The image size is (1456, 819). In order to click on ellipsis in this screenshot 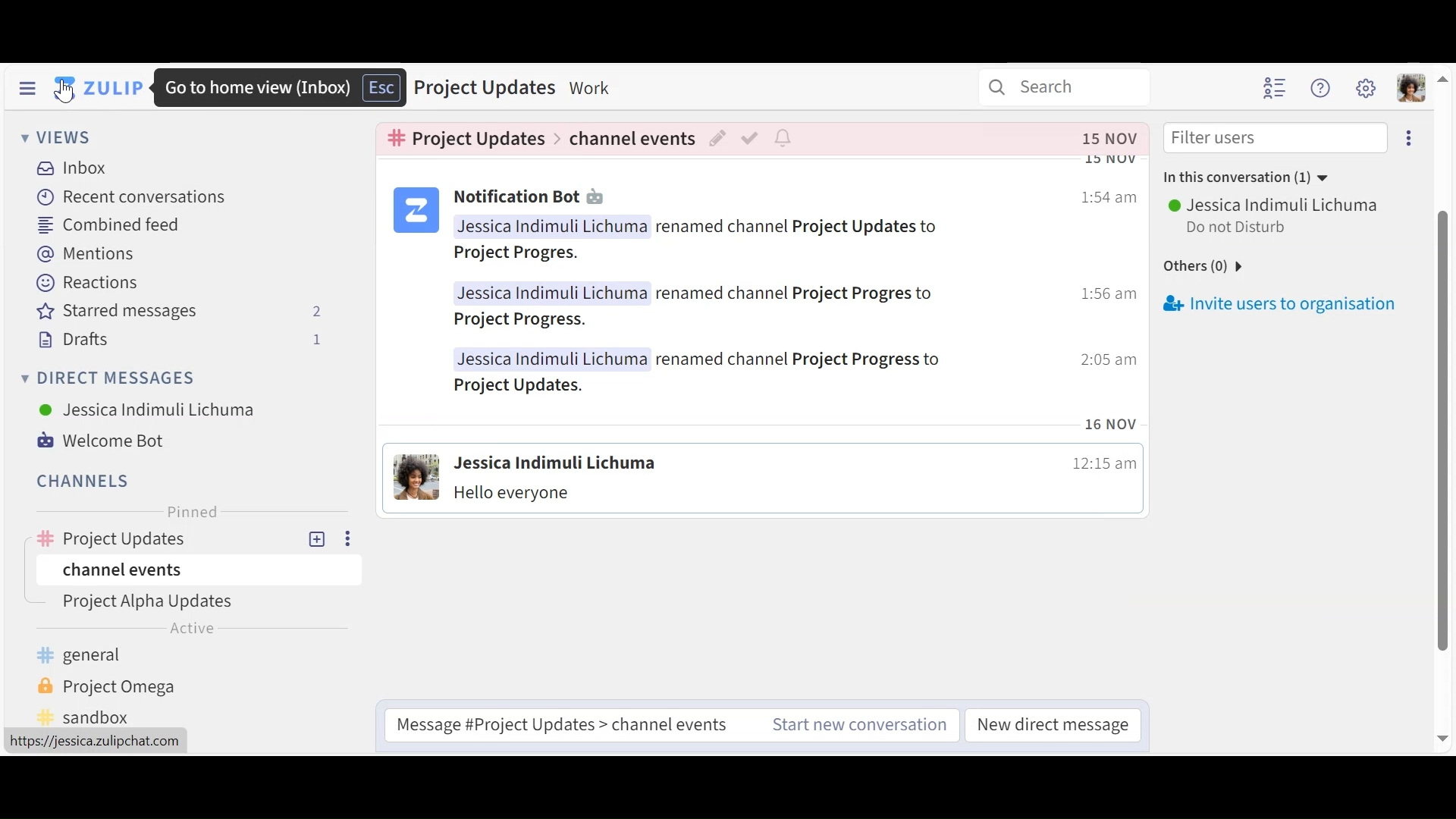, I will do `click(347, 539)`.